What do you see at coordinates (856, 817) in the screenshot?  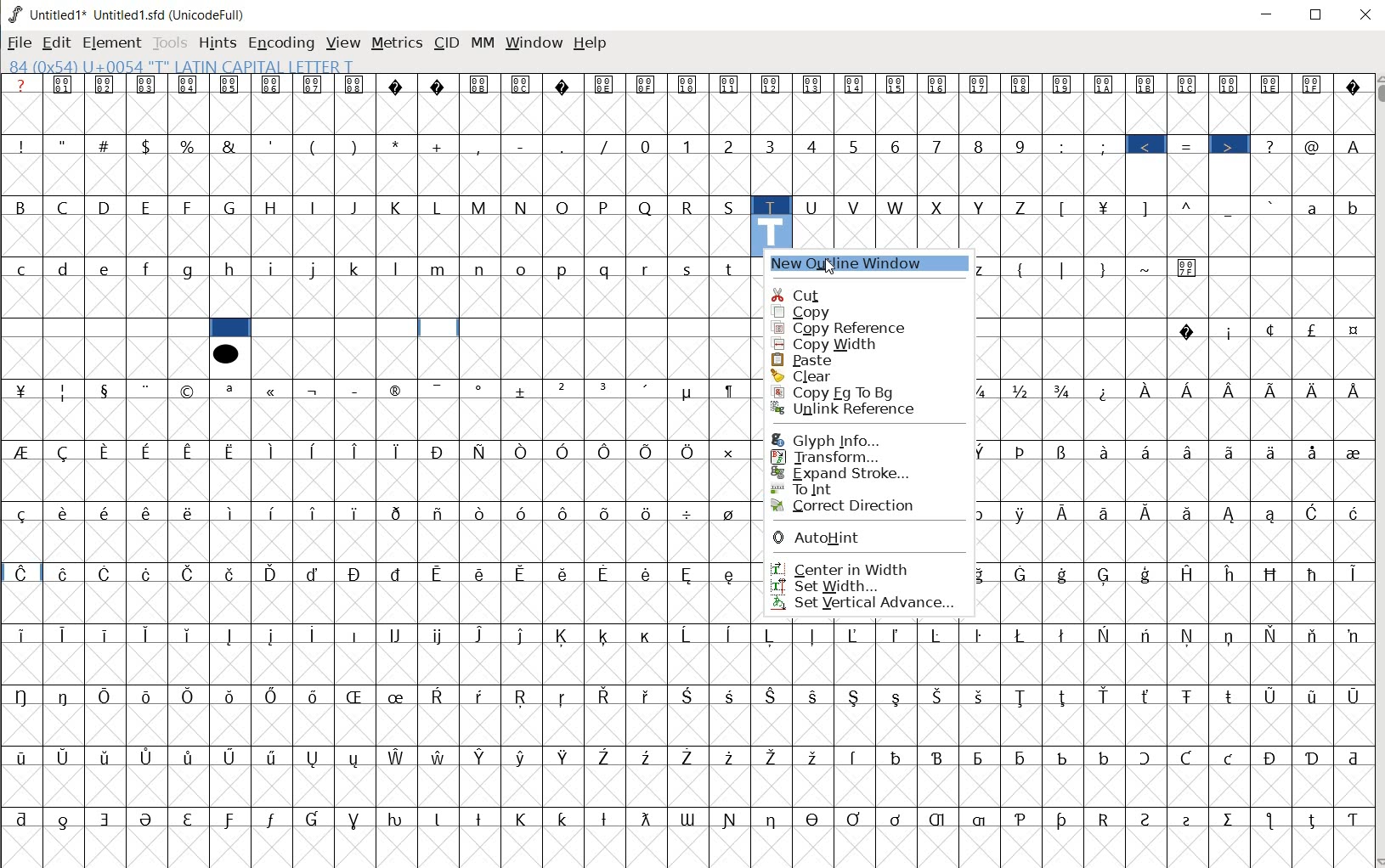 I see `Symbol` at bounding box center [856, 817].